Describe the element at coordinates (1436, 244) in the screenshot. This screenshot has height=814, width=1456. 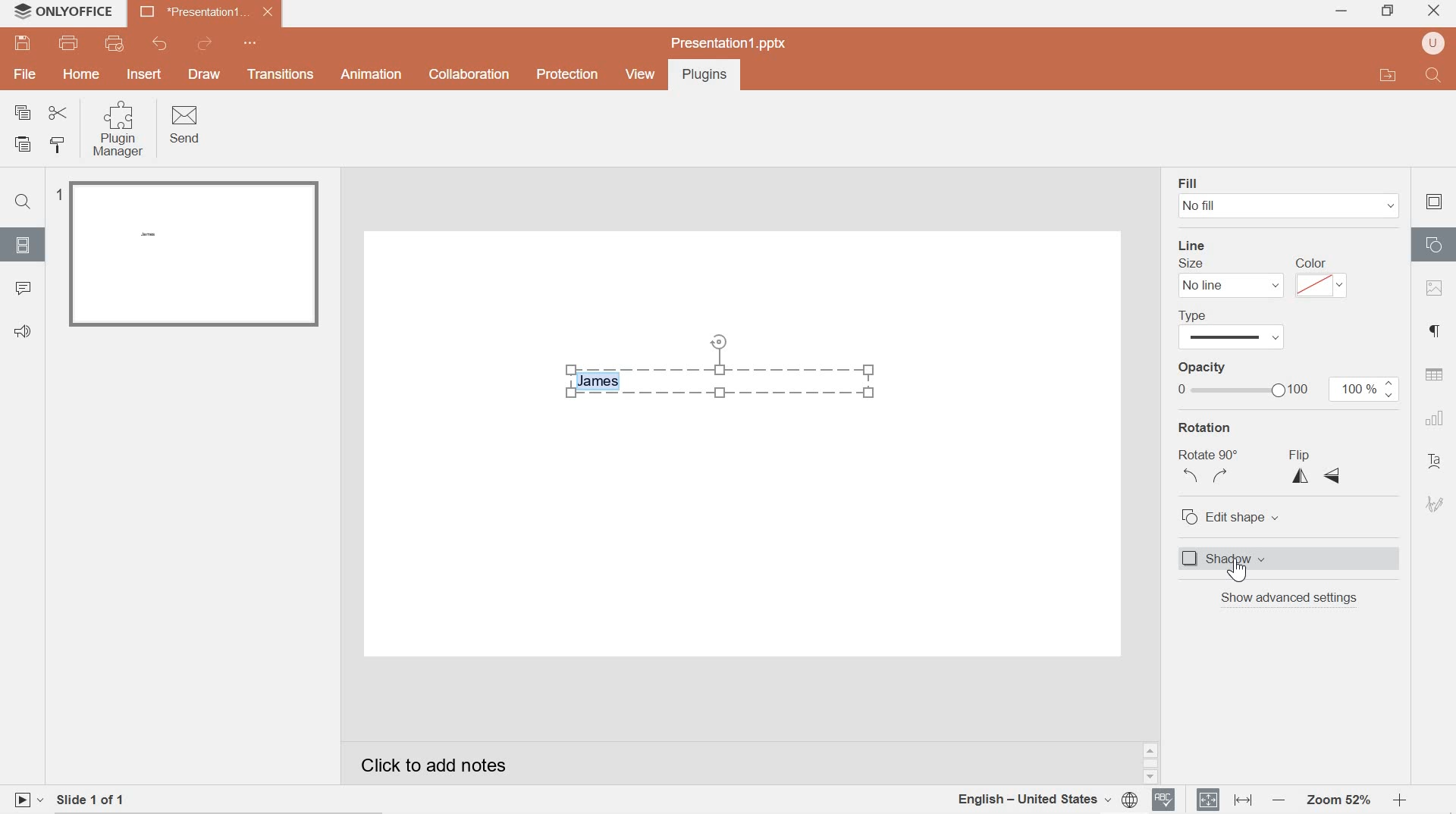
I see `shape settings` at that location.